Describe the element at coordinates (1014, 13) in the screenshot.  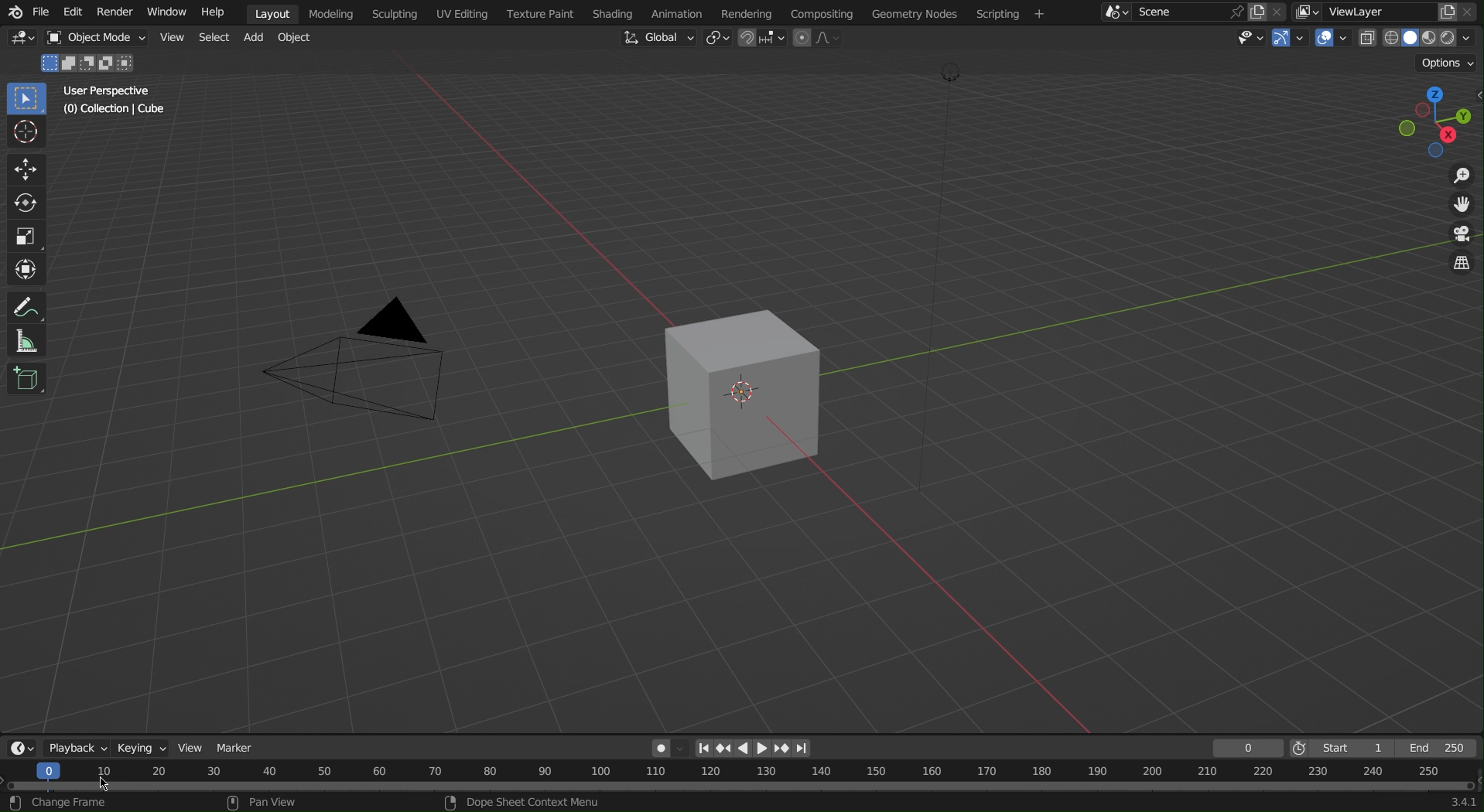
I see `Scripting` at that location.